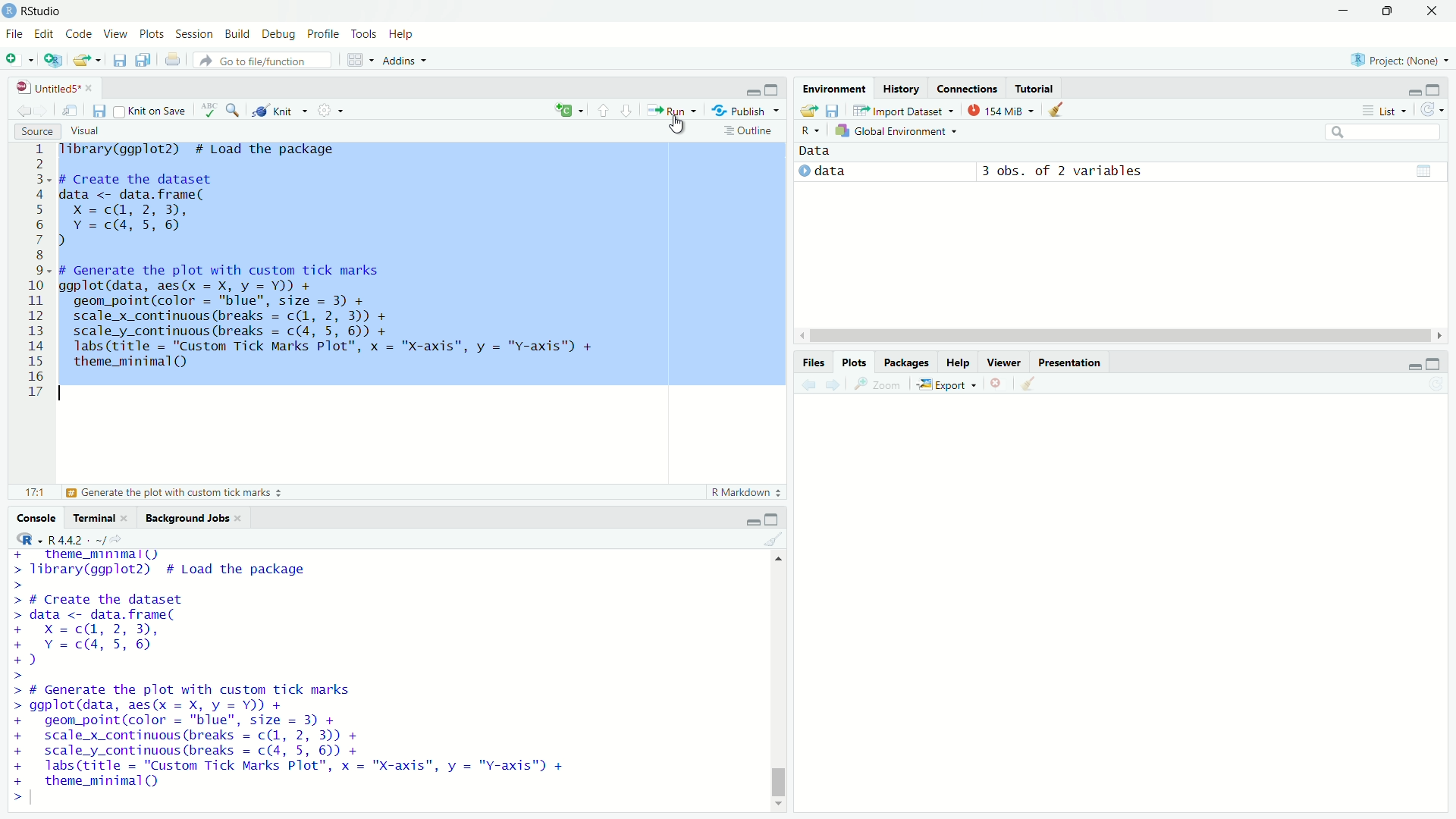 This screenshot has width=1456, height=819. I want to click on prompt cursor, so click(12, 799).